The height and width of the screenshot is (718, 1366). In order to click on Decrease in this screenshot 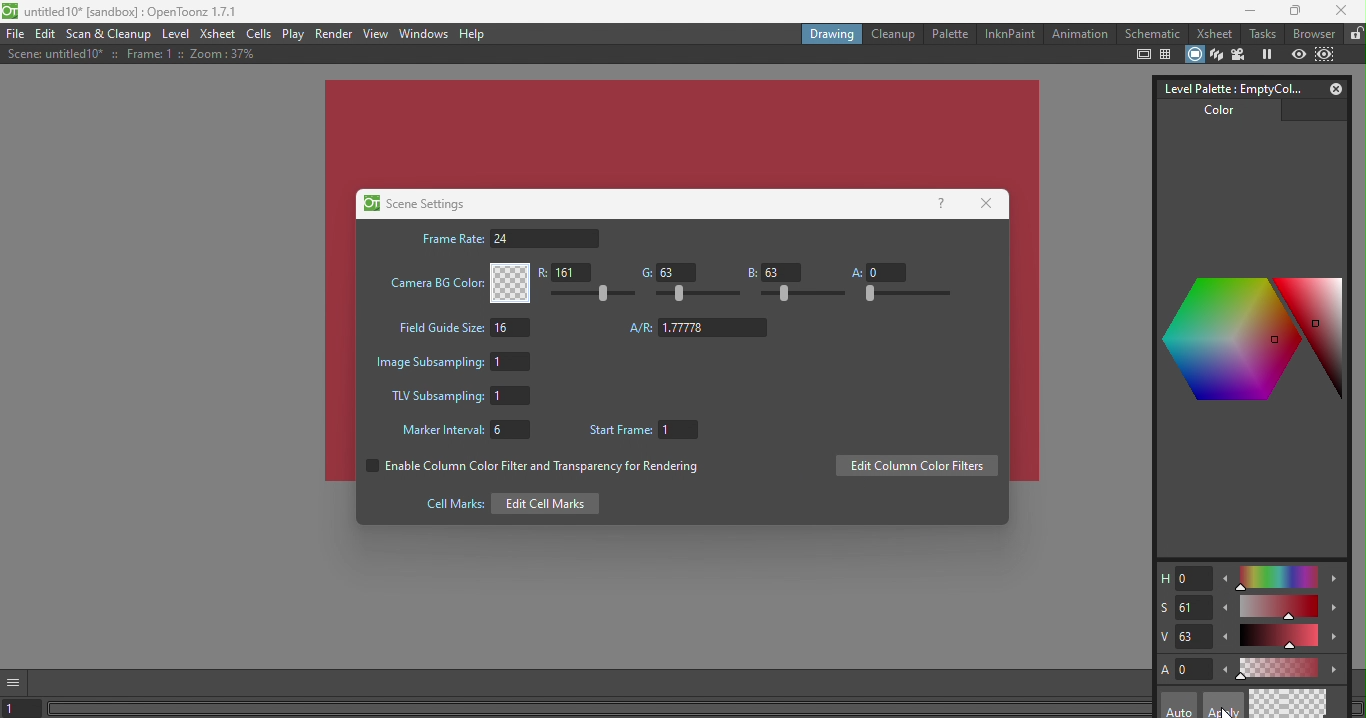, I will do `click(1225, 611)`.